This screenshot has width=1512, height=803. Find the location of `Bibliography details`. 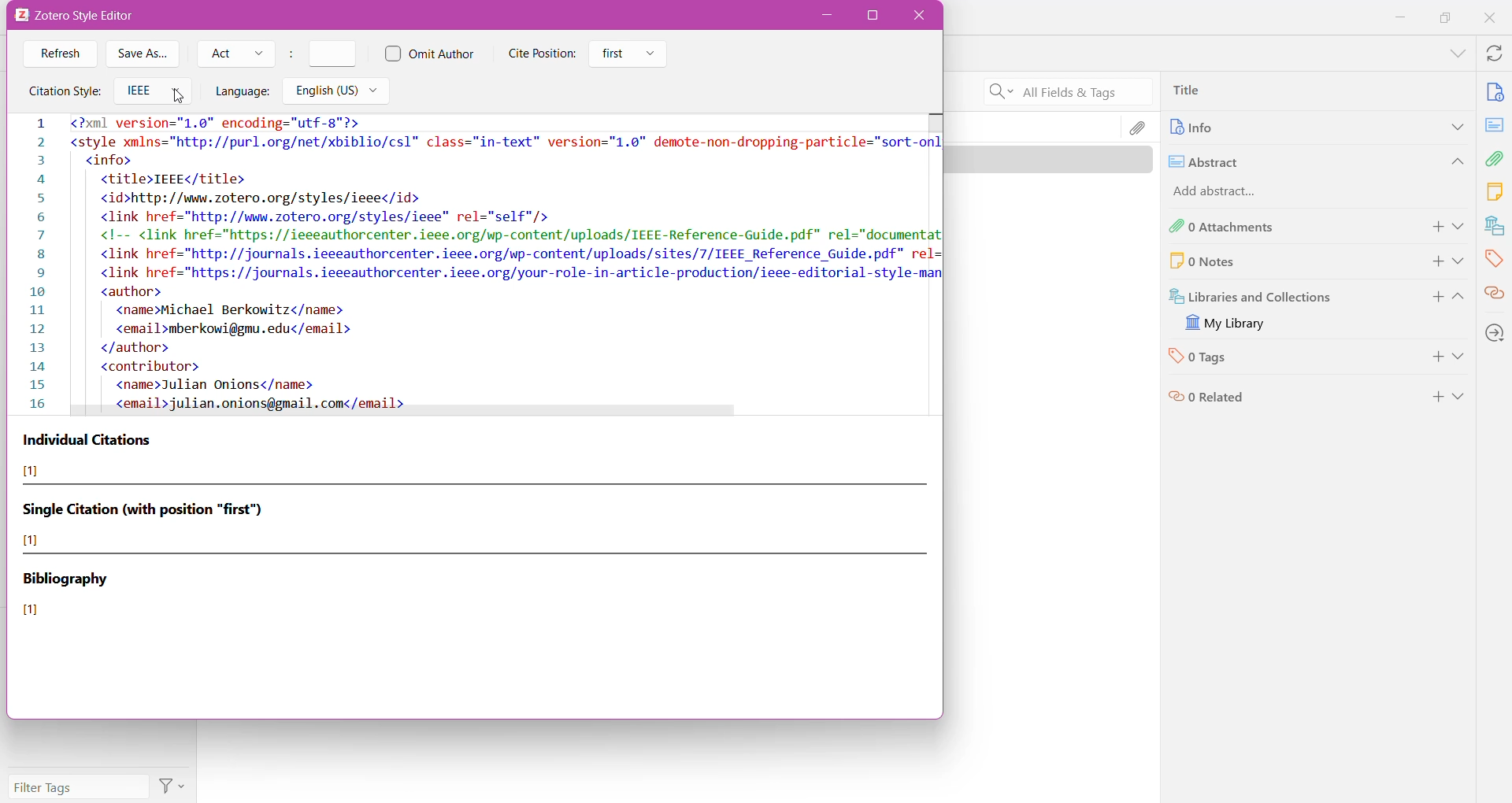

Bibliography details is located at coordinates (68, 596).